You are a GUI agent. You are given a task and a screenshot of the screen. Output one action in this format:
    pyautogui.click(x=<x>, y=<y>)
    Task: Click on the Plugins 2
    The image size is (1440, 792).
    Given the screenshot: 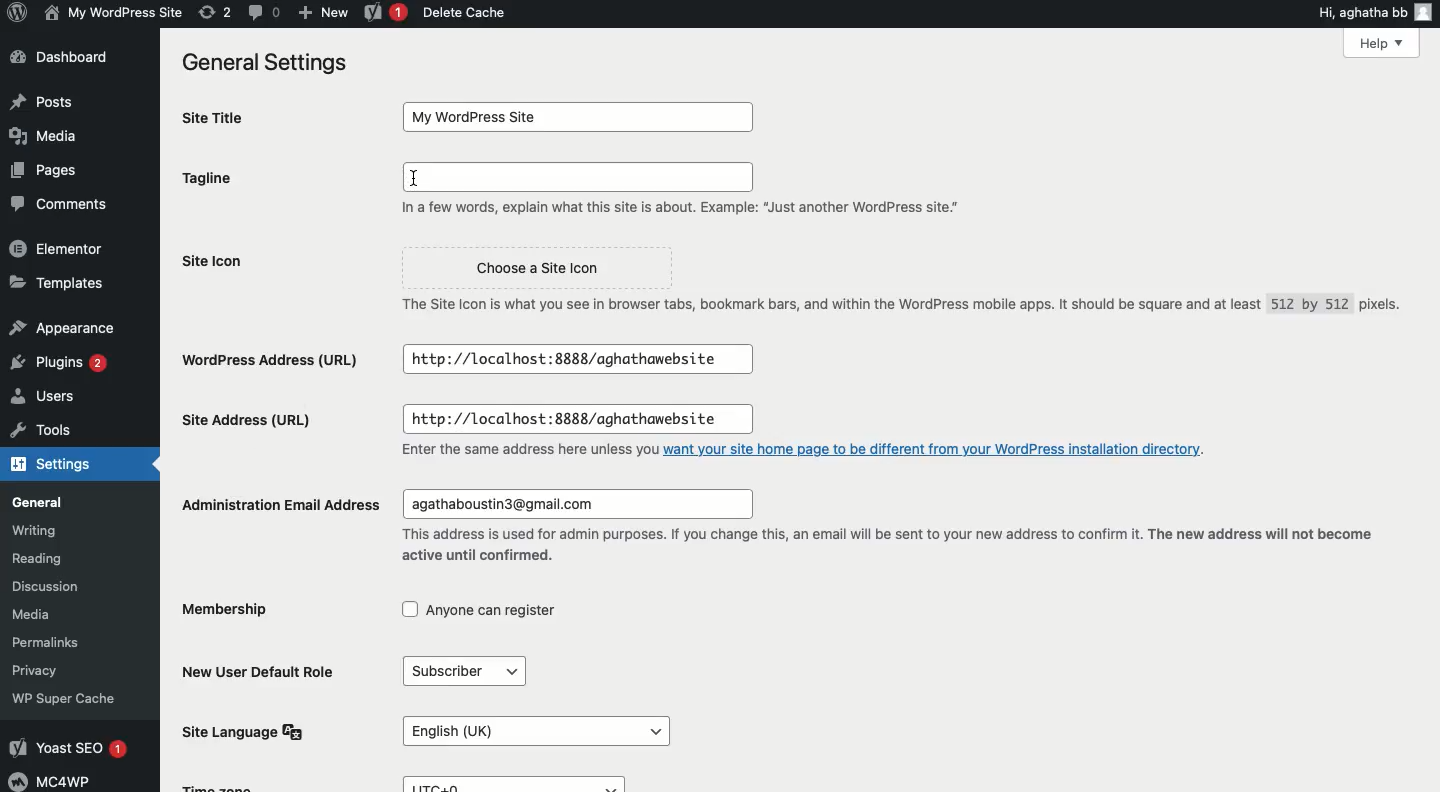 What is the action you would take?
    pyautogui.click(x=58, y=363)
    